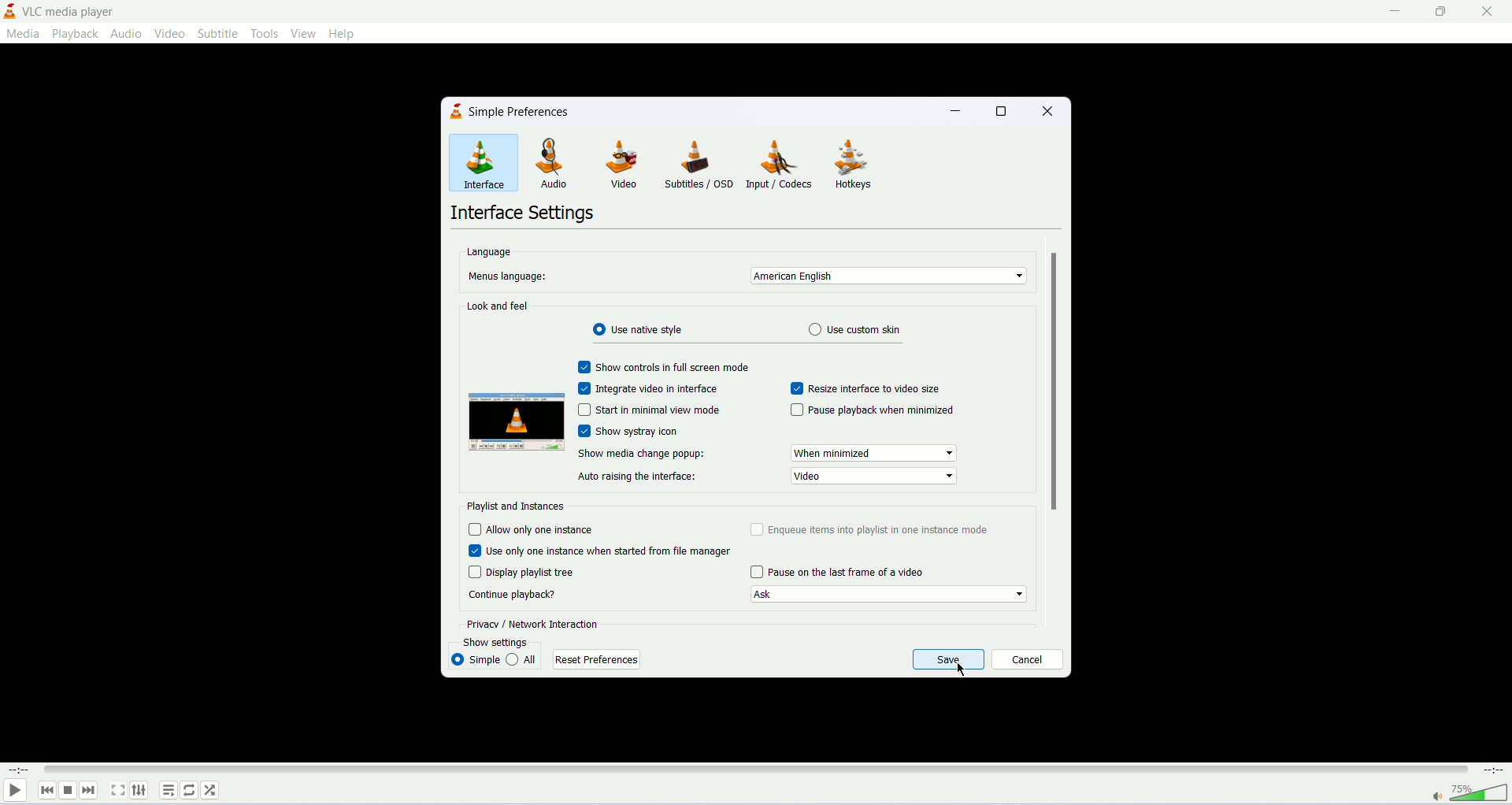 This screenshot has width=1512, height=805. What do you see at coordinates (699, 165) in the screenshot?
I see `subtitles` at bounding box center [699, 165].